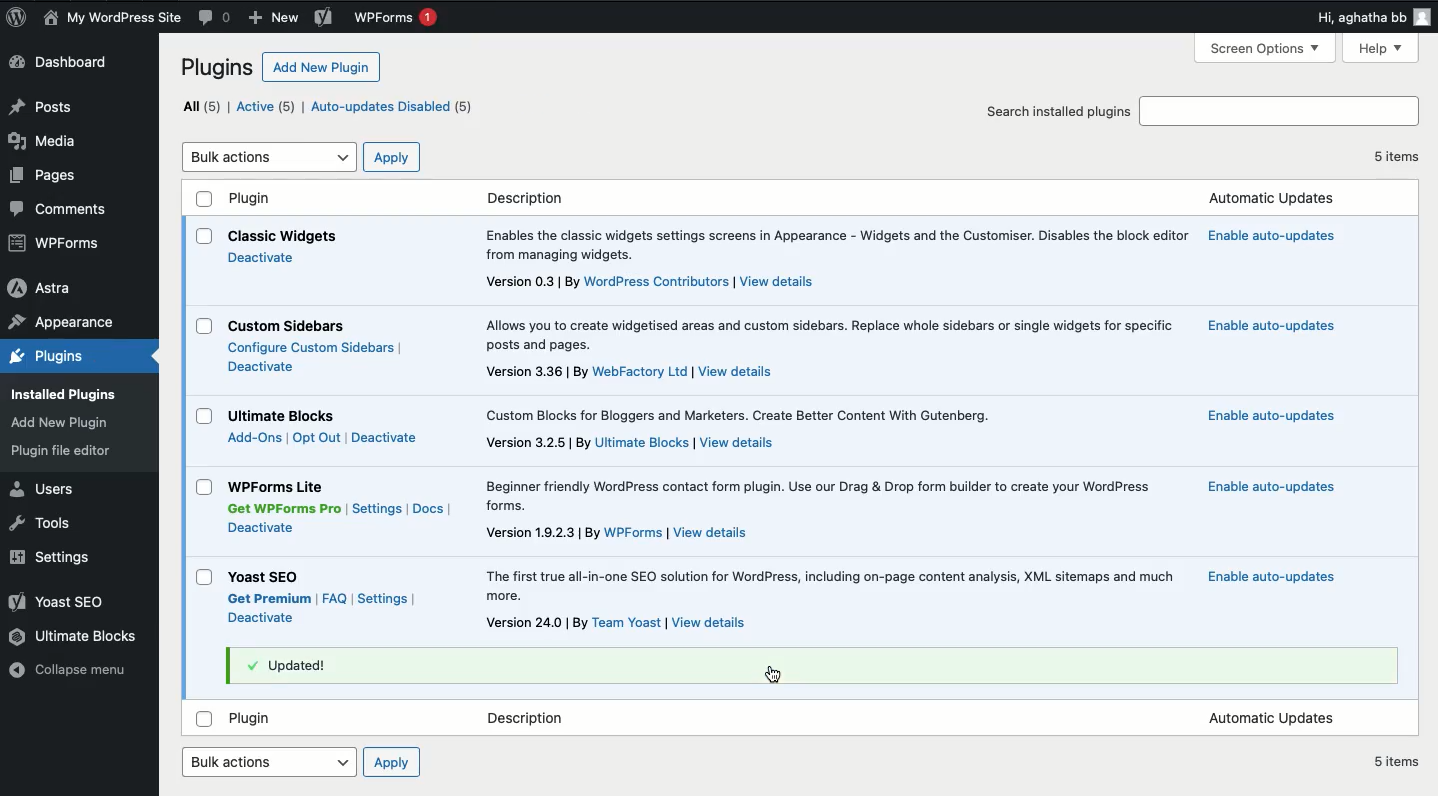 The width and height of the screenshot is (1438, 796). I want to click on Description, so click(739, 416).